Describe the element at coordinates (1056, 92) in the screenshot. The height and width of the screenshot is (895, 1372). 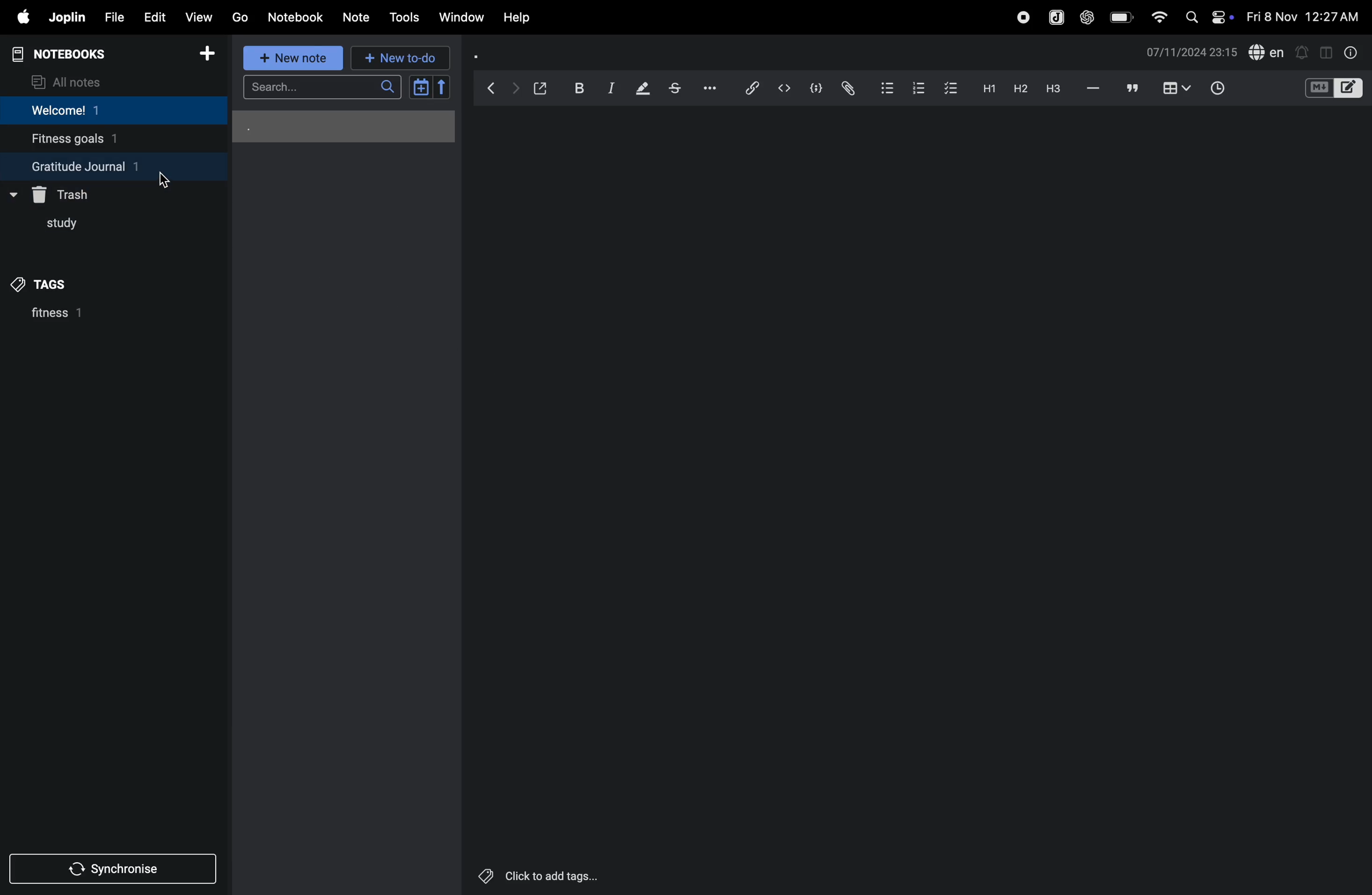
I see `heading 3` at that location.